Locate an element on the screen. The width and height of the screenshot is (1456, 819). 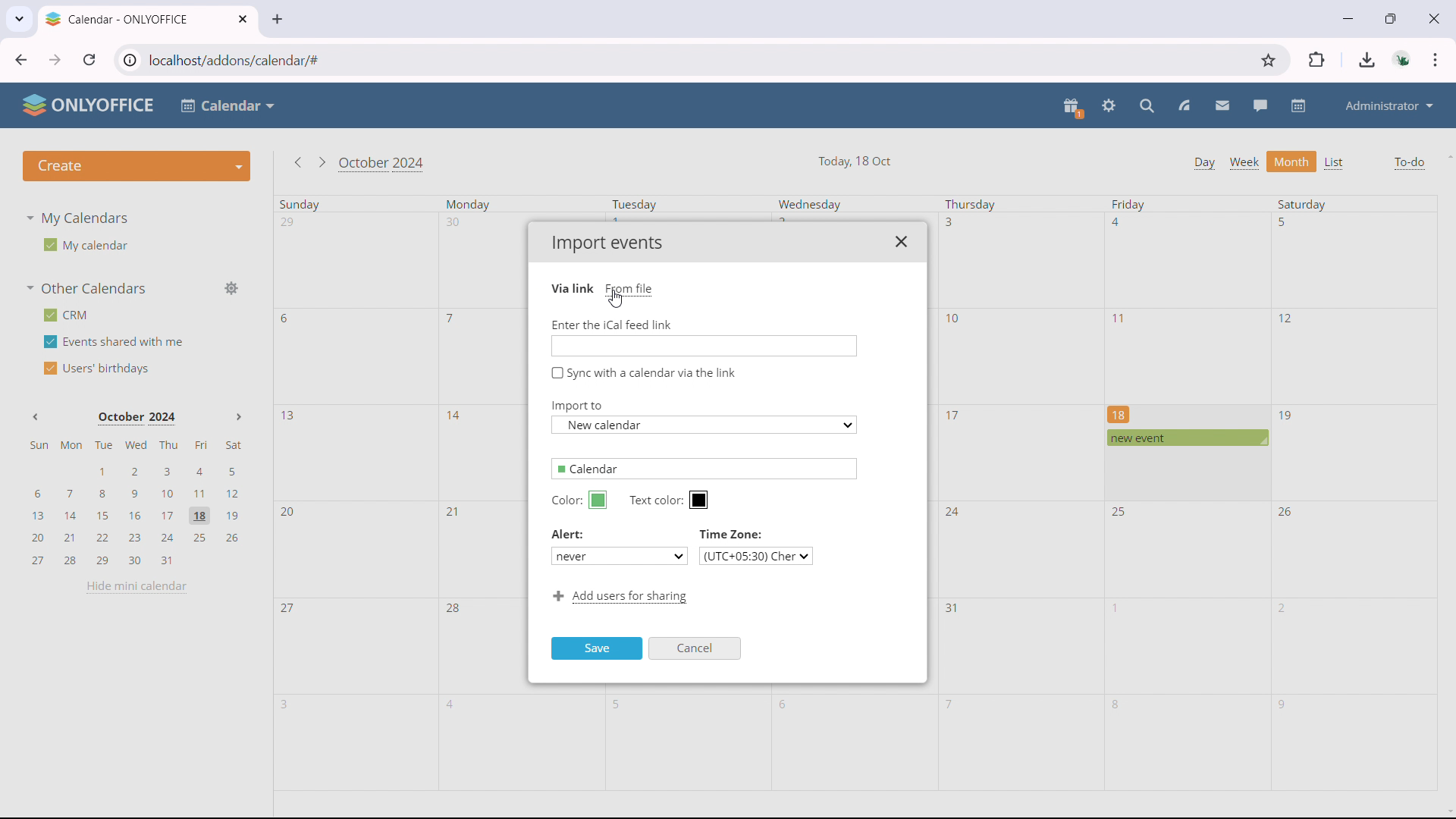
close tab is located at coordinates (242, 19).